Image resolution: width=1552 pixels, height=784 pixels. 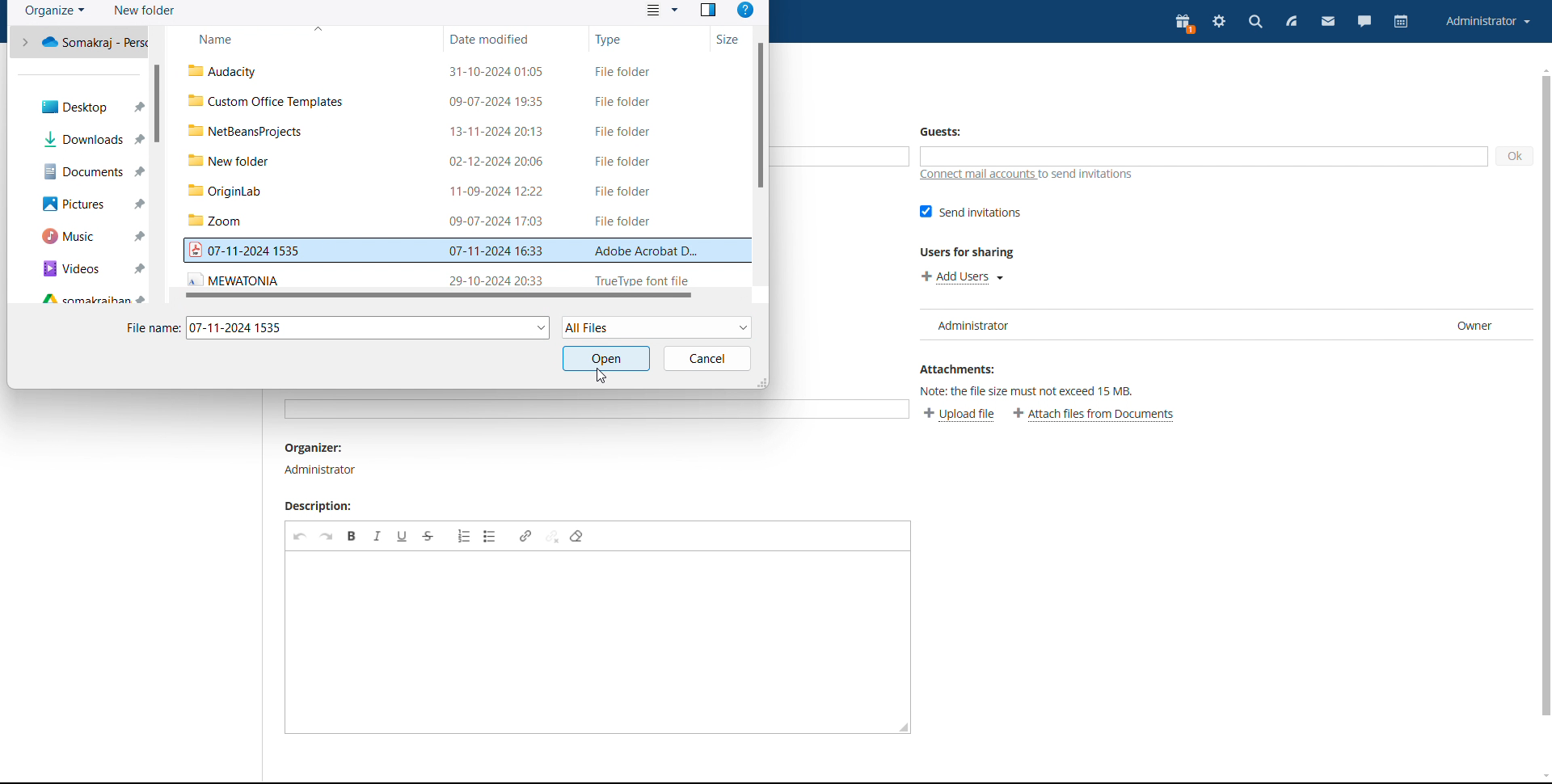 I want to click on send invitations, so click(x=969, y=213).